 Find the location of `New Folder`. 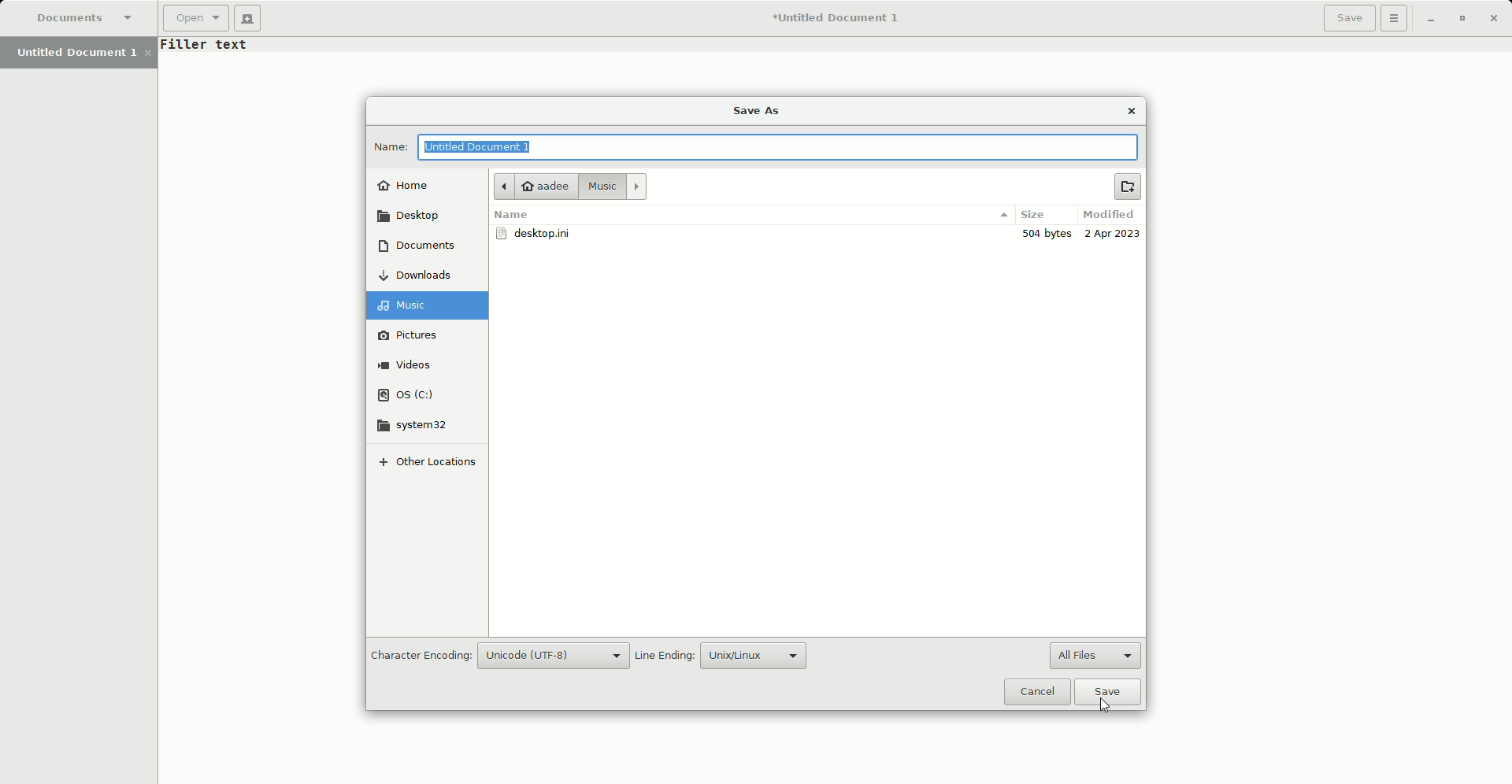

New Folder is located at coordinates (1128, 187).